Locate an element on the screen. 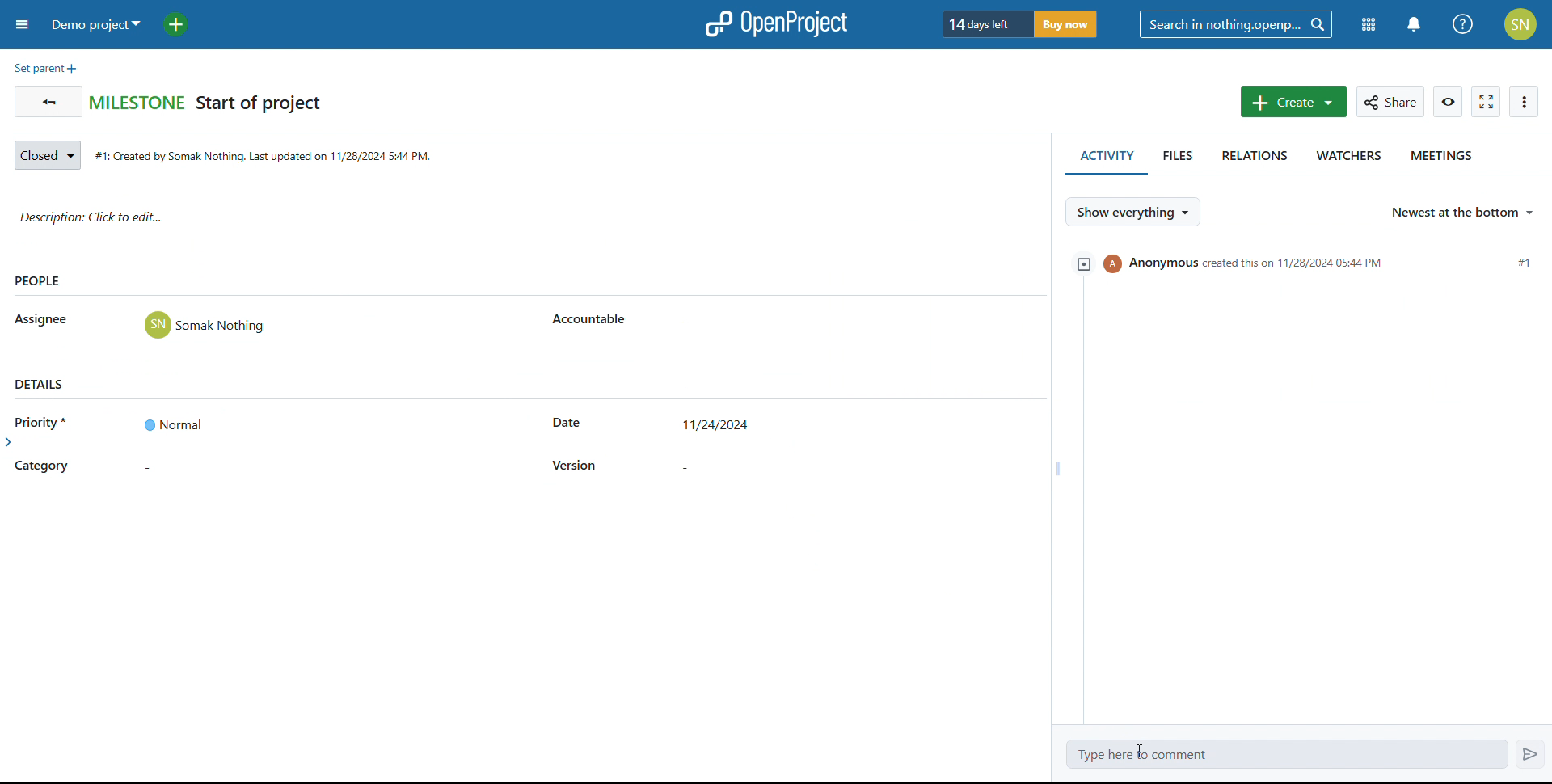  set category is located at coordinates (172, 469).